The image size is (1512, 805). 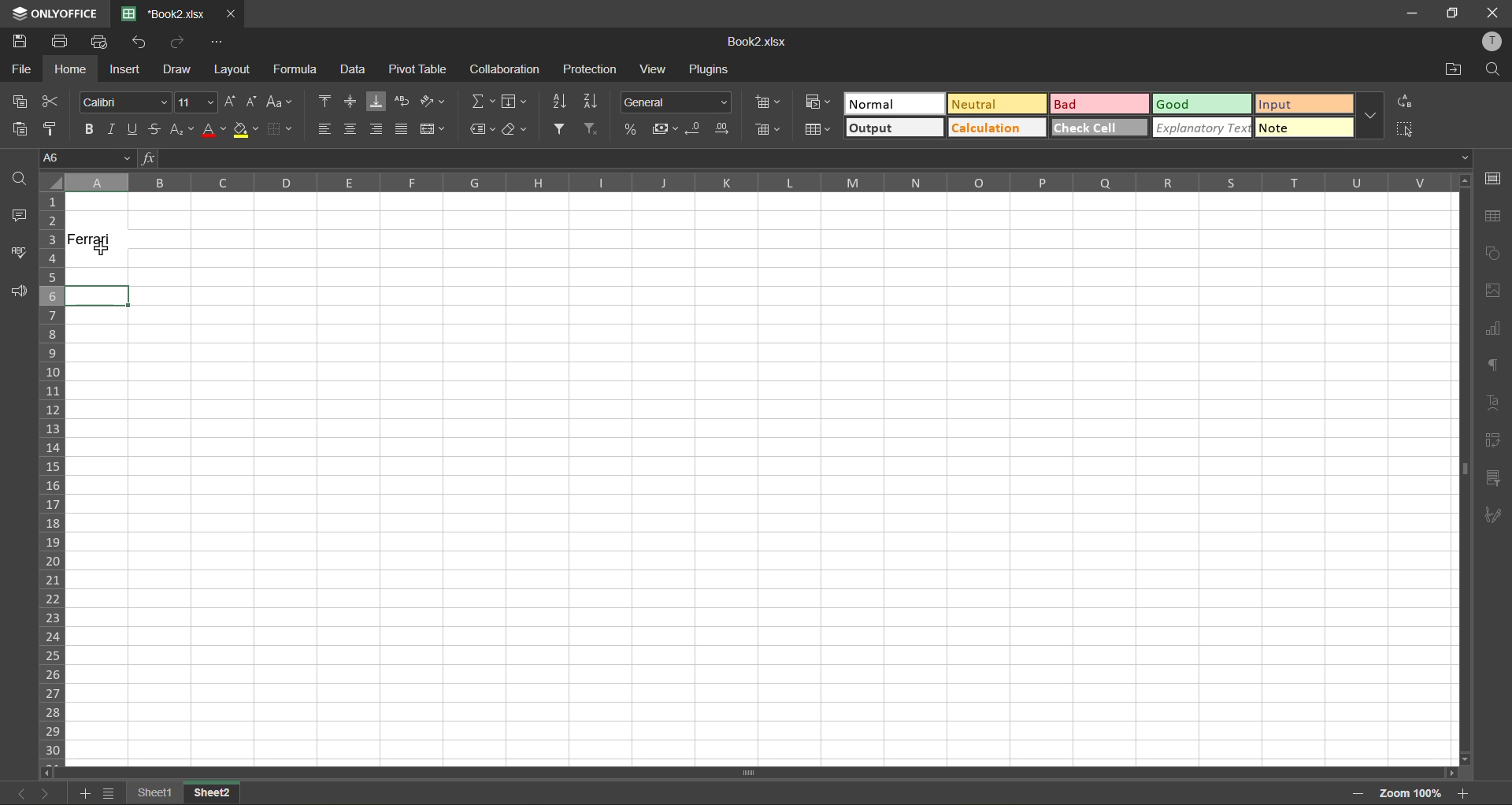 I want to click on quick print, so click(x=101, y=42).